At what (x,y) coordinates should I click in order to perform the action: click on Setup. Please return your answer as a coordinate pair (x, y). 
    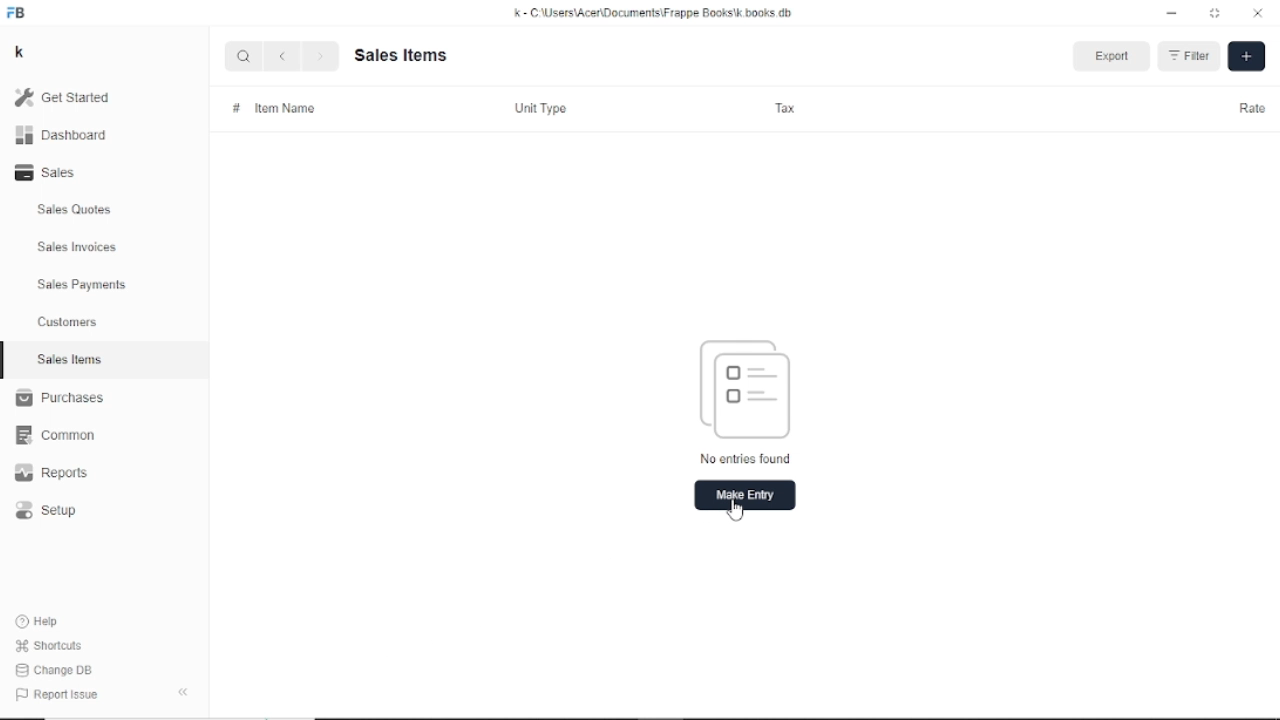
    Looking at the image, I should click on (47, 511).